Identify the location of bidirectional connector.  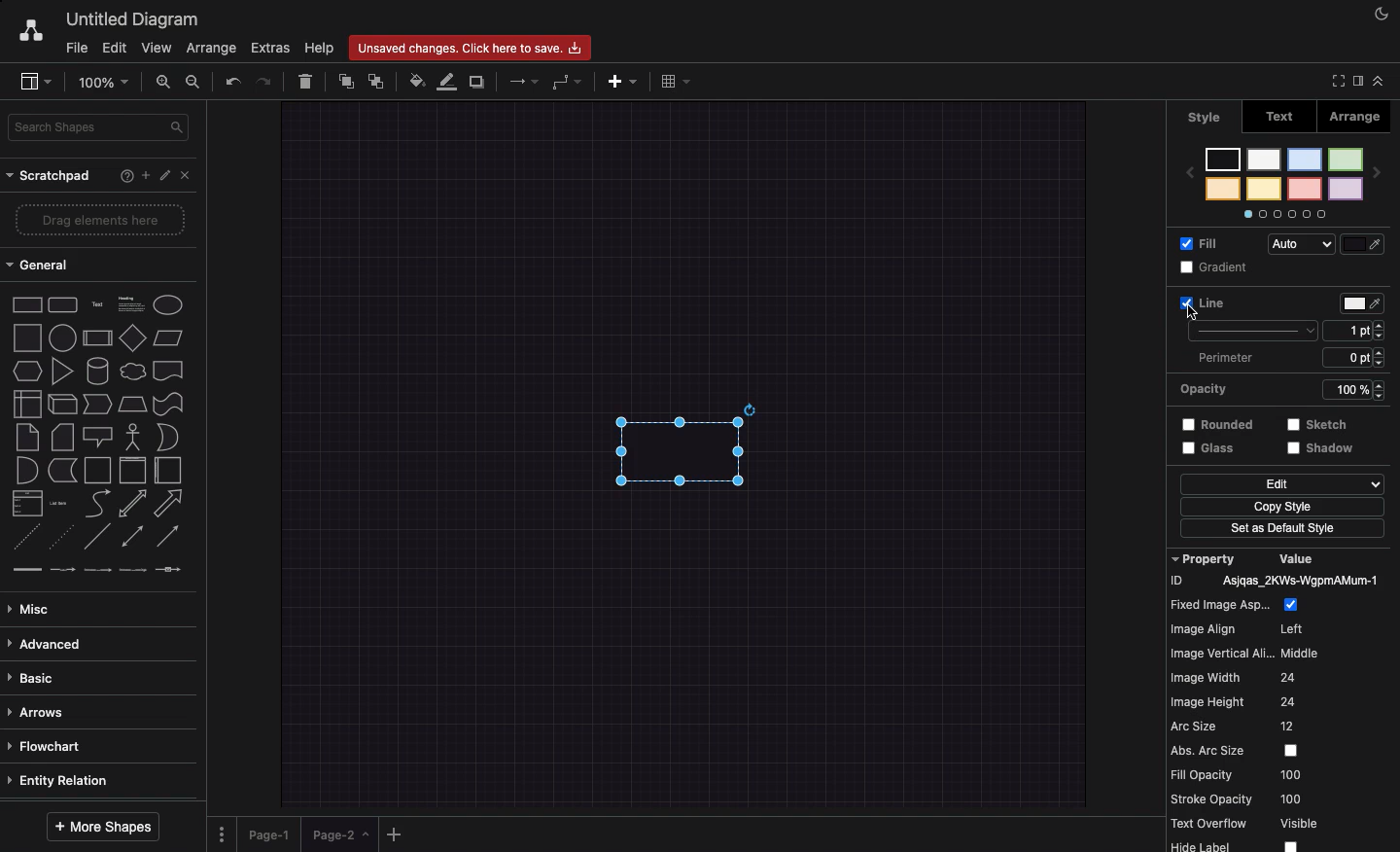
(131, 536).